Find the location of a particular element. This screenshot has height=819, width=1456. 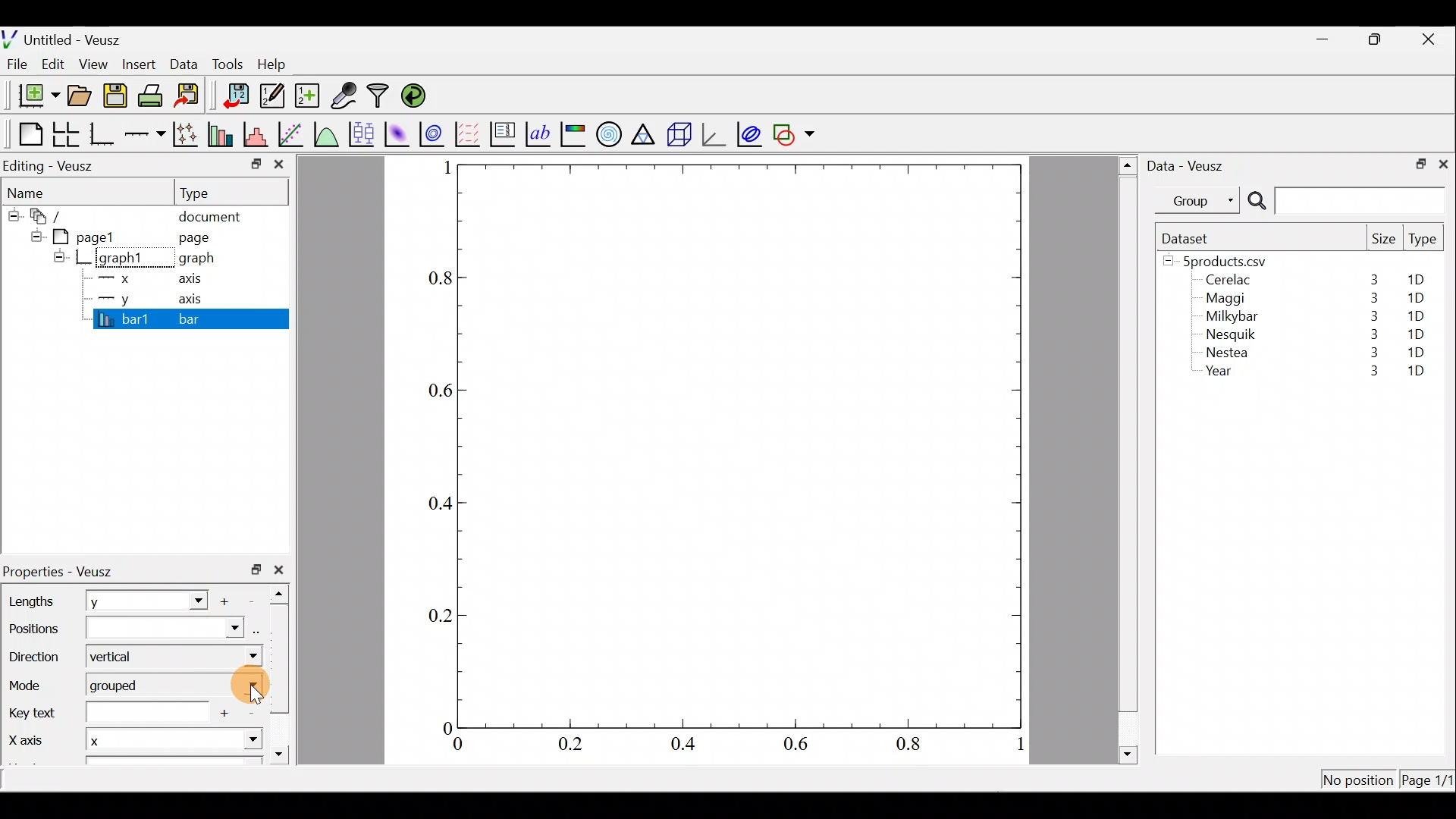

Plot key is located at coordinates (504, 133).